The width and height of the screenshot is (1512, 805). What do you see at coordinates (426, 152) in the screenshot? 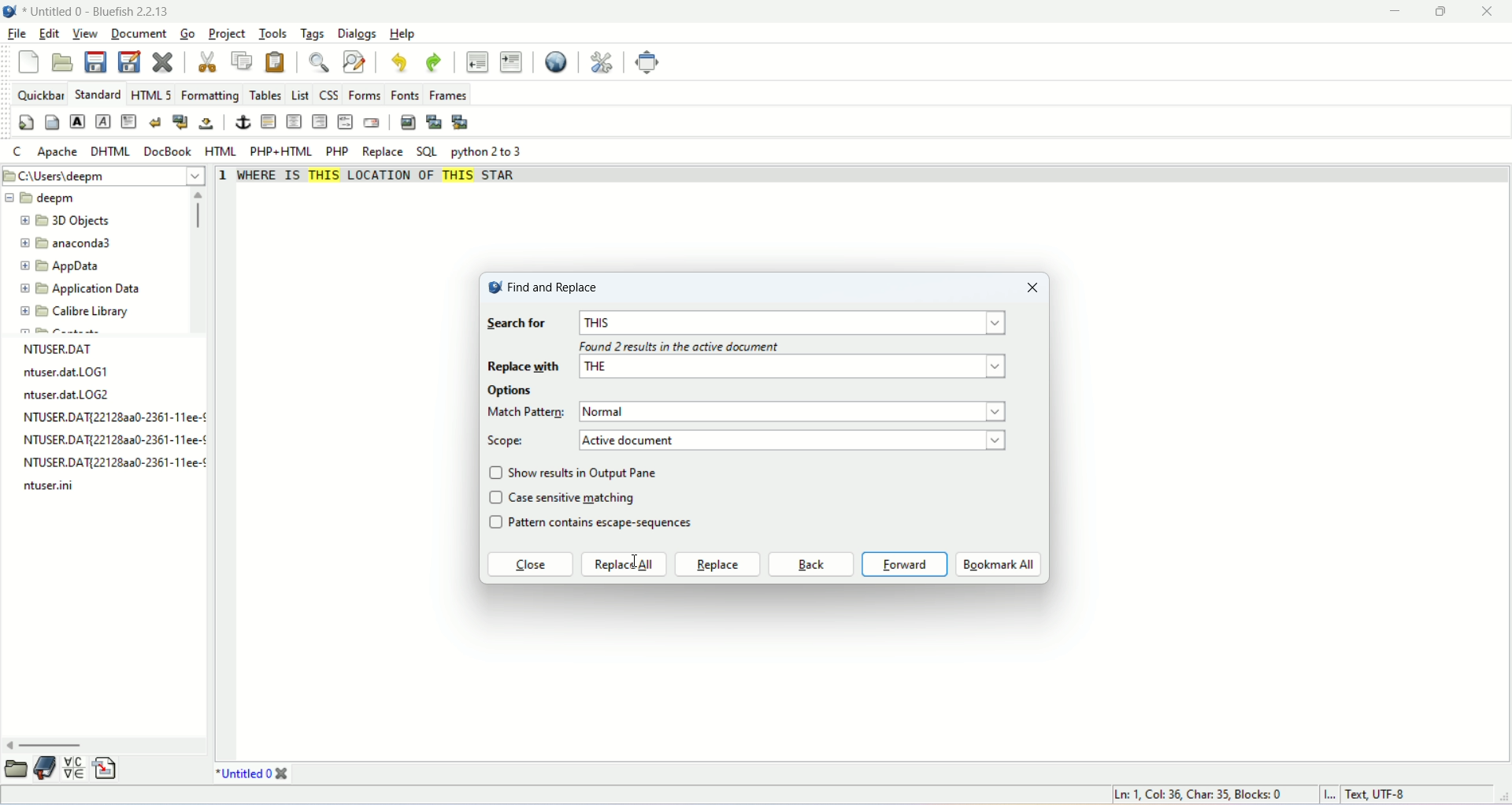
I see `SQL` at bounding box center [426, 152].